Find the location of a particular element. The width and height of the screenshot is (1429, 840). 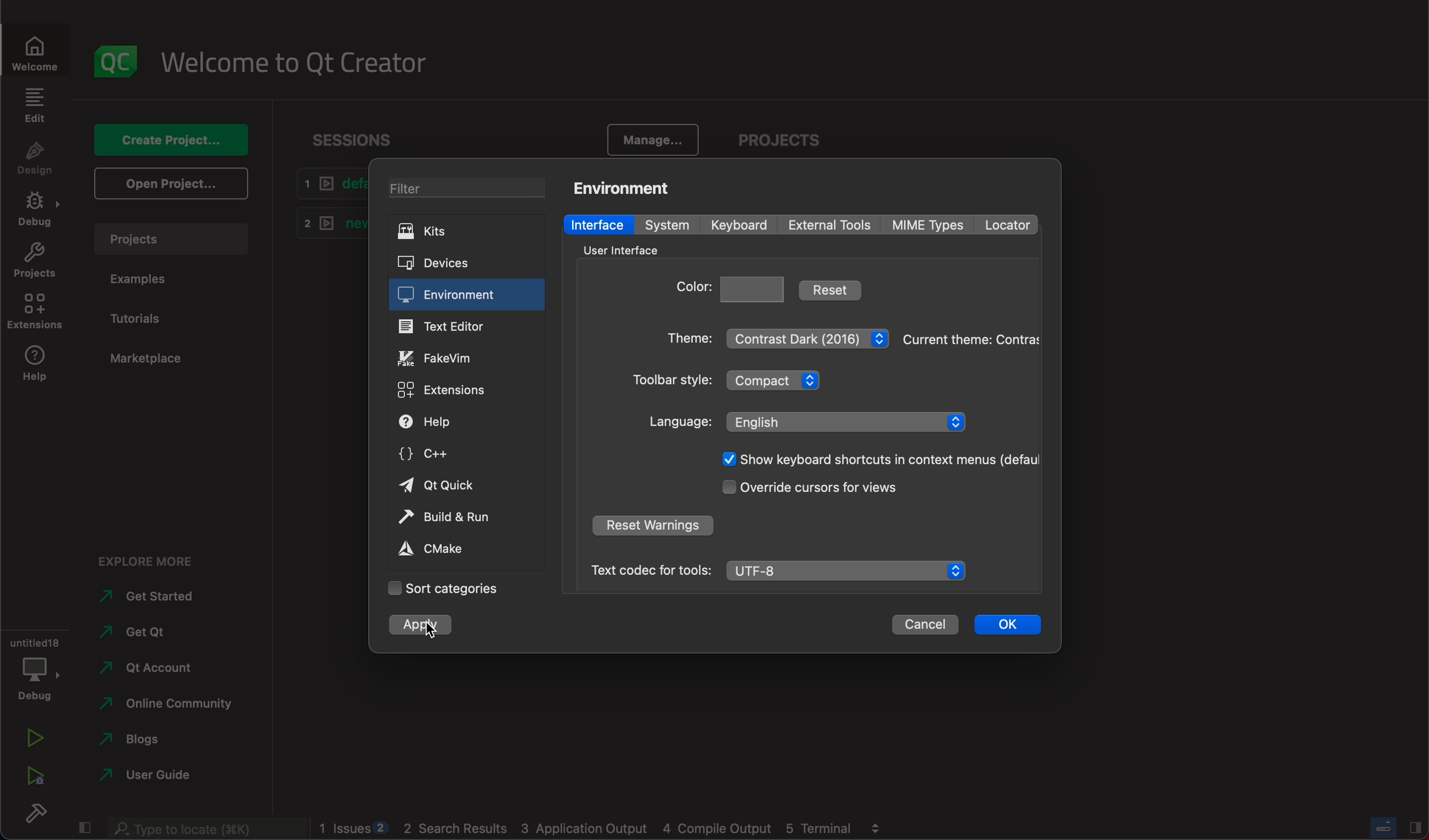

projects is located at coordinates (776, 139).